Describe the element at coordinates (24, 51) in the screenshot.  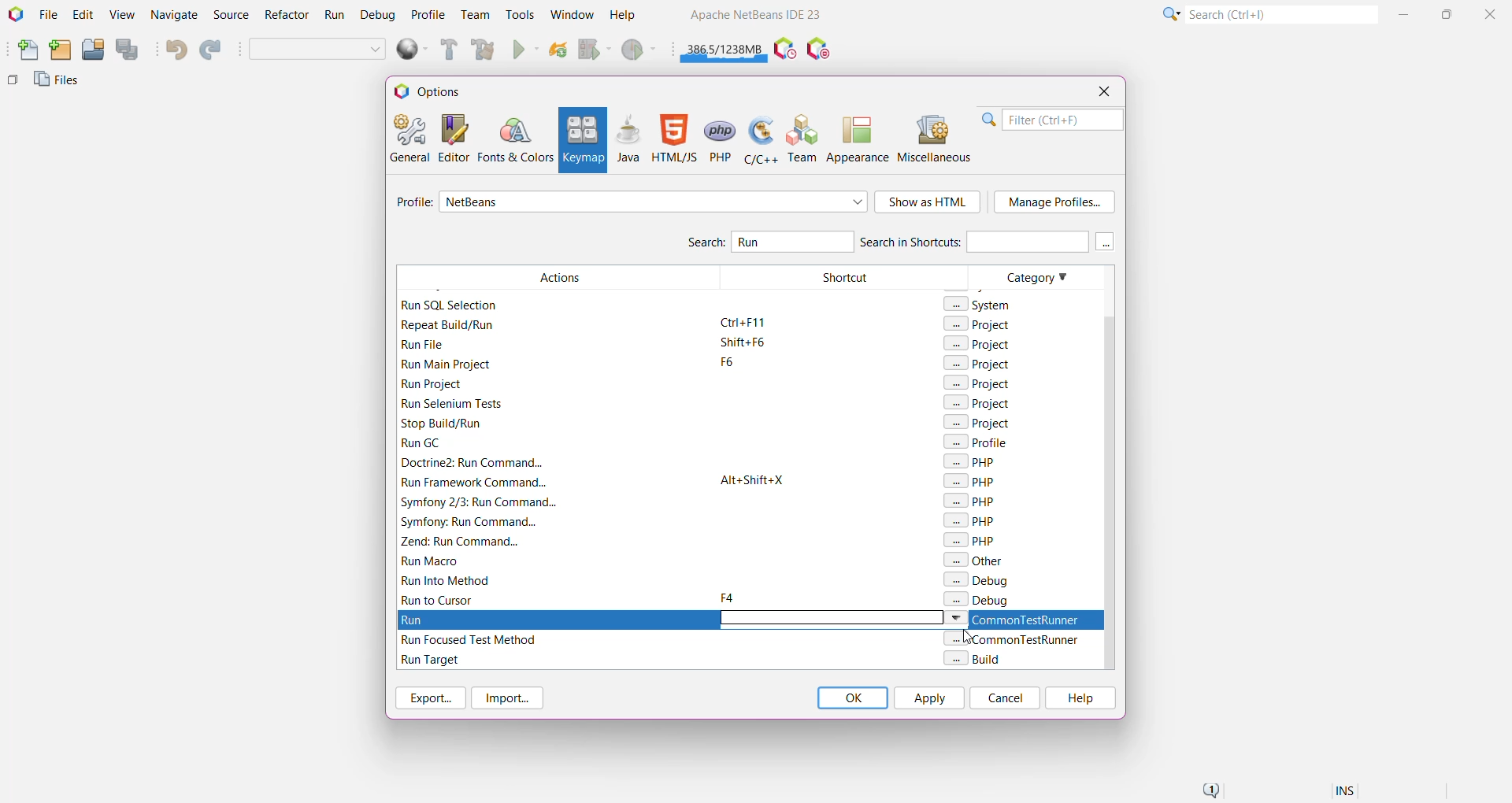
I see `New File` at that location.